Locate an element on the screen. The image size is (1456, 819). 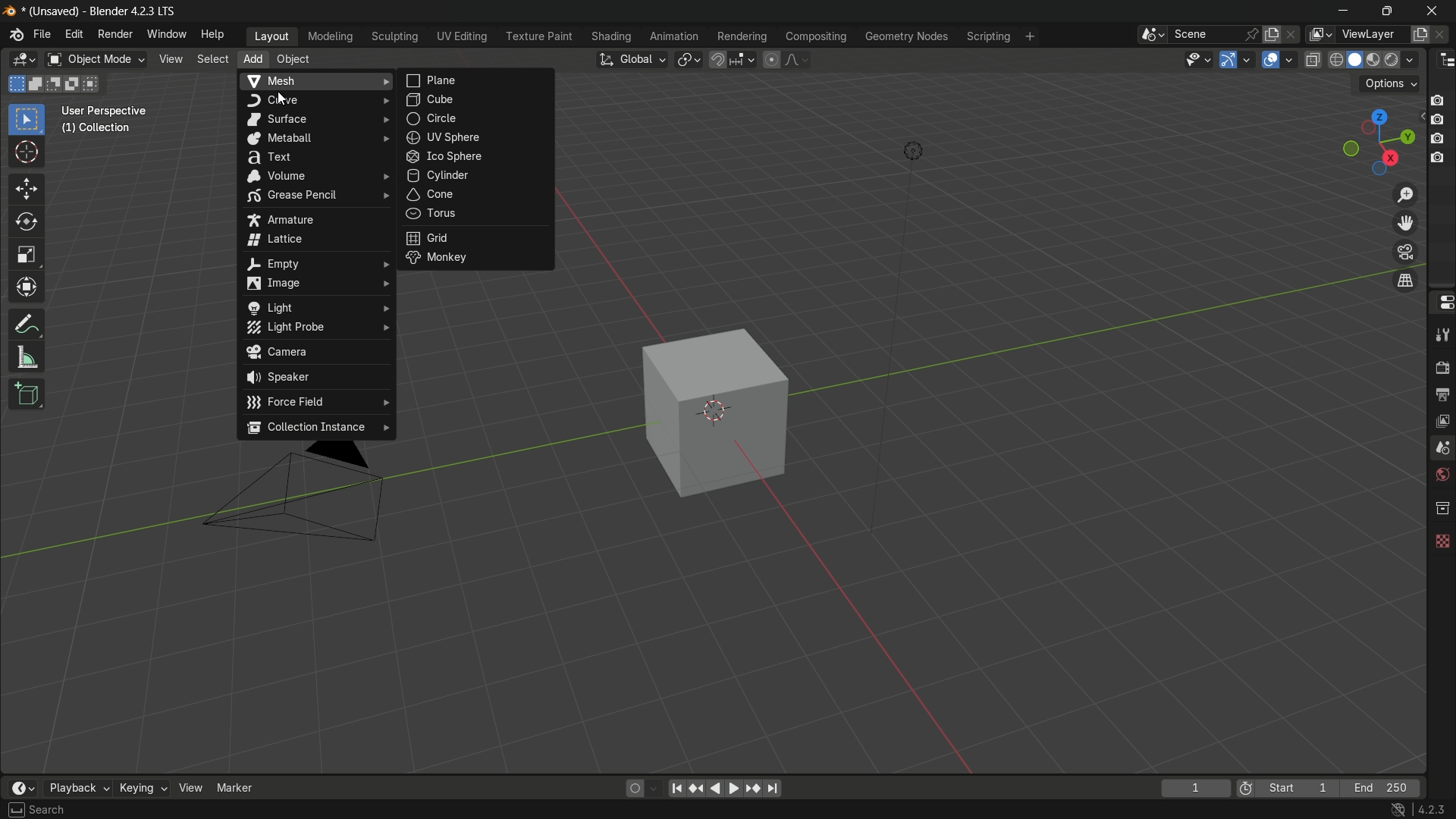
delete scene is located at coordinates (1291, 35).